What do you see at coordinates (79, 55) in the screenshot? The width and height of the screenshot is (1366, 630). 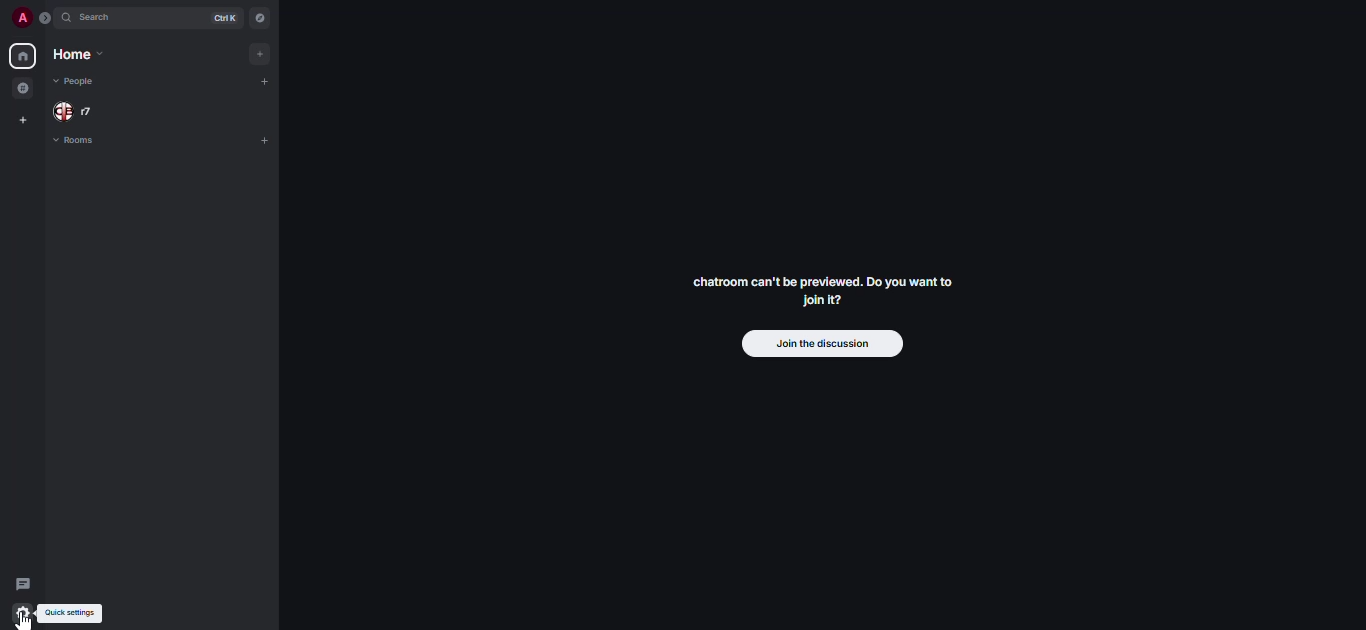 I see `home` at bounding box center [79, 55].